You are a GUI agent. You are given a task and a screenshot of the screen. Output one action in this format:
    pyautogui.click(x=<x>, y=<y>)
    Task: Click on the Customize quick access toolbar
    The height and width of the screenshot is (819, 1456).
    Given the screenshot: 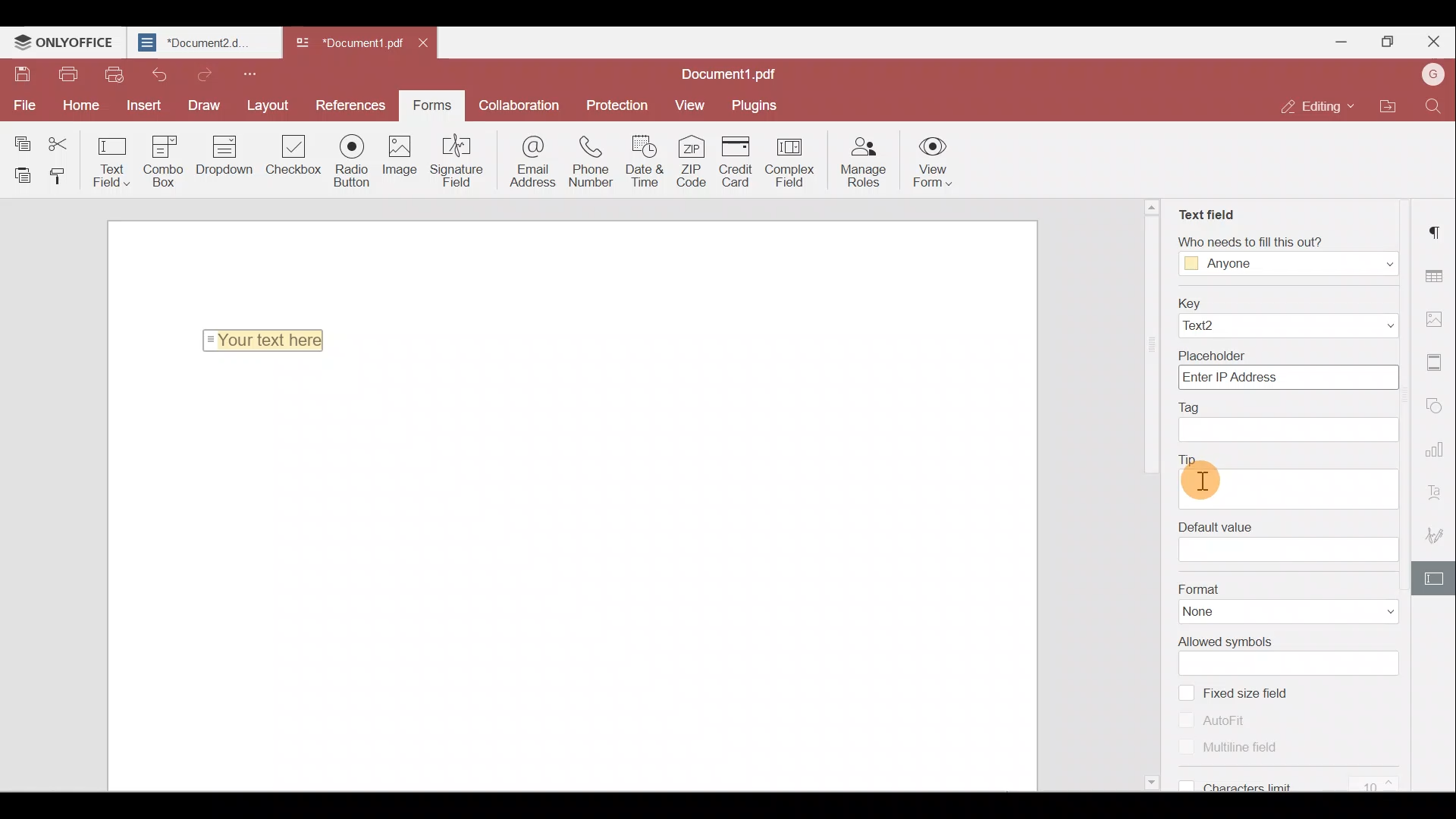 What is the action you would take?
    pyautogui.click(x=255, y=73)
    